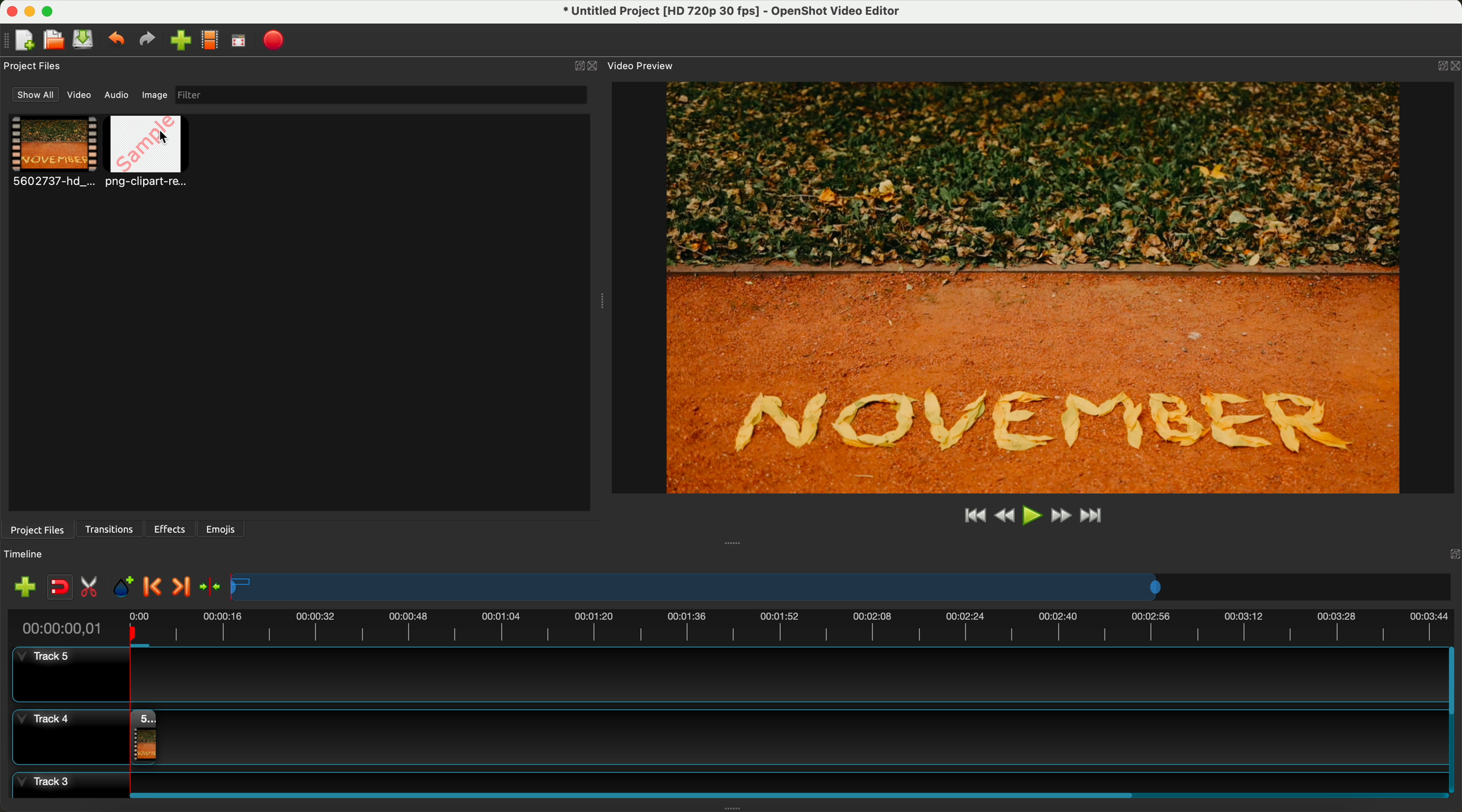 The width and height of the screenshot is (1462, 812). I want to click on maximize, so click(52, 10).